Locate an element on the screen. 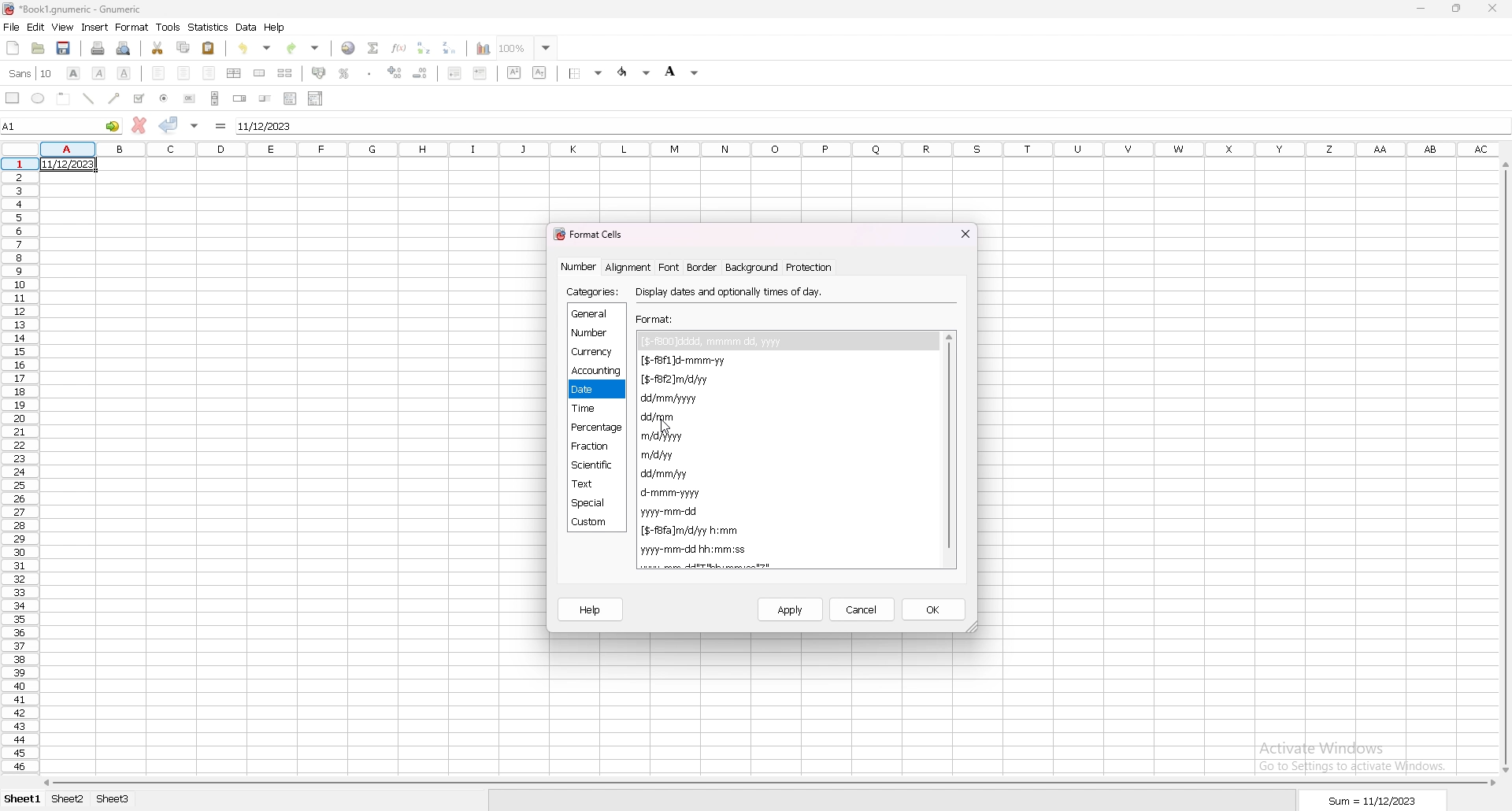 This screenshot has width=1512, height=811. statistics is located at coordinates (209, 27).